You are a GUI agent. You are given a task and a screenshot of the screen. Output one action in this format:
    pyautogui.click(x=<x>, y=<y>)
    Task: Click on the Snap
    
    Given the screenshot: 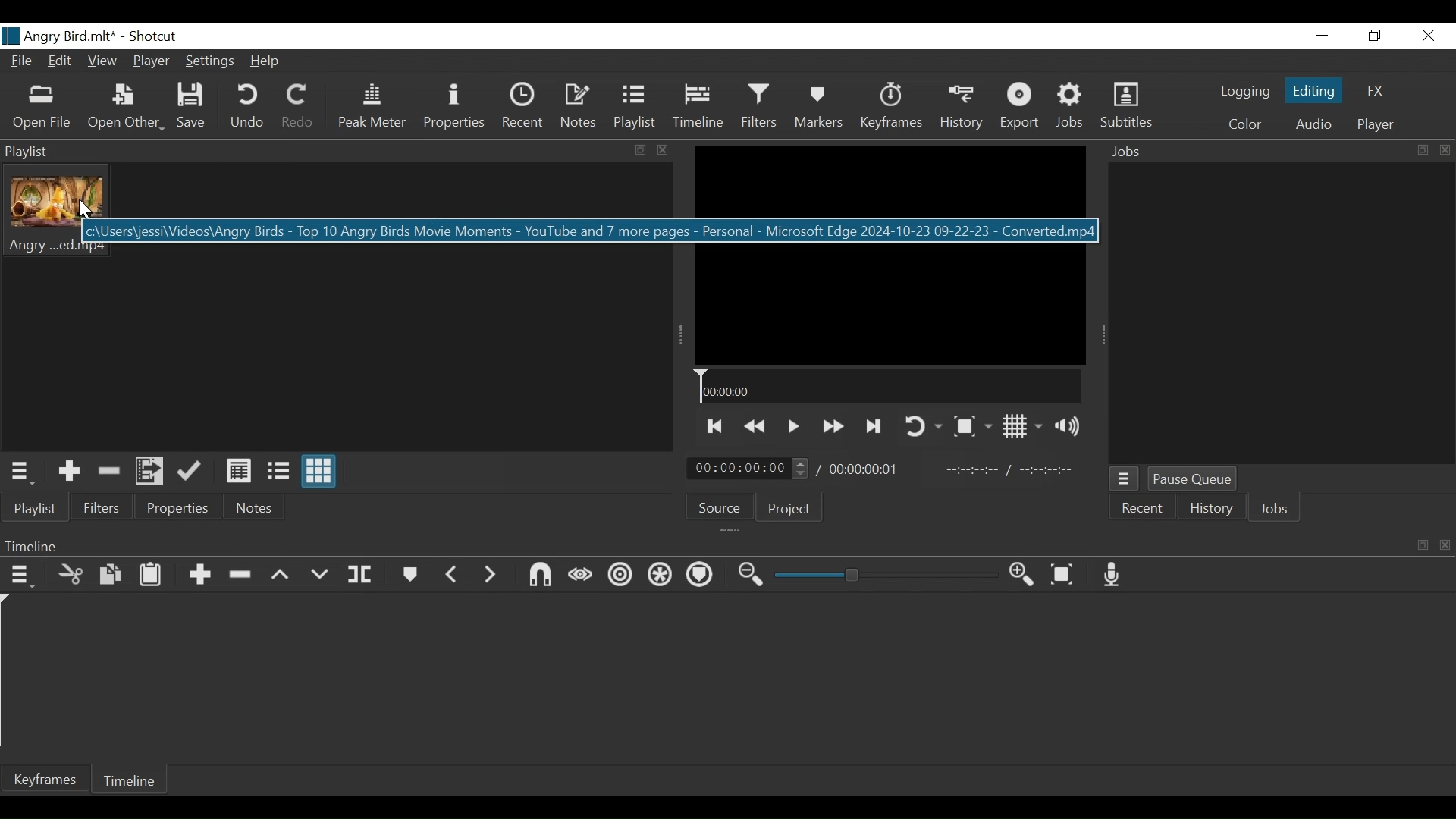 What is the action you would take?
    pyautogui.click(x=539, y=575)
    